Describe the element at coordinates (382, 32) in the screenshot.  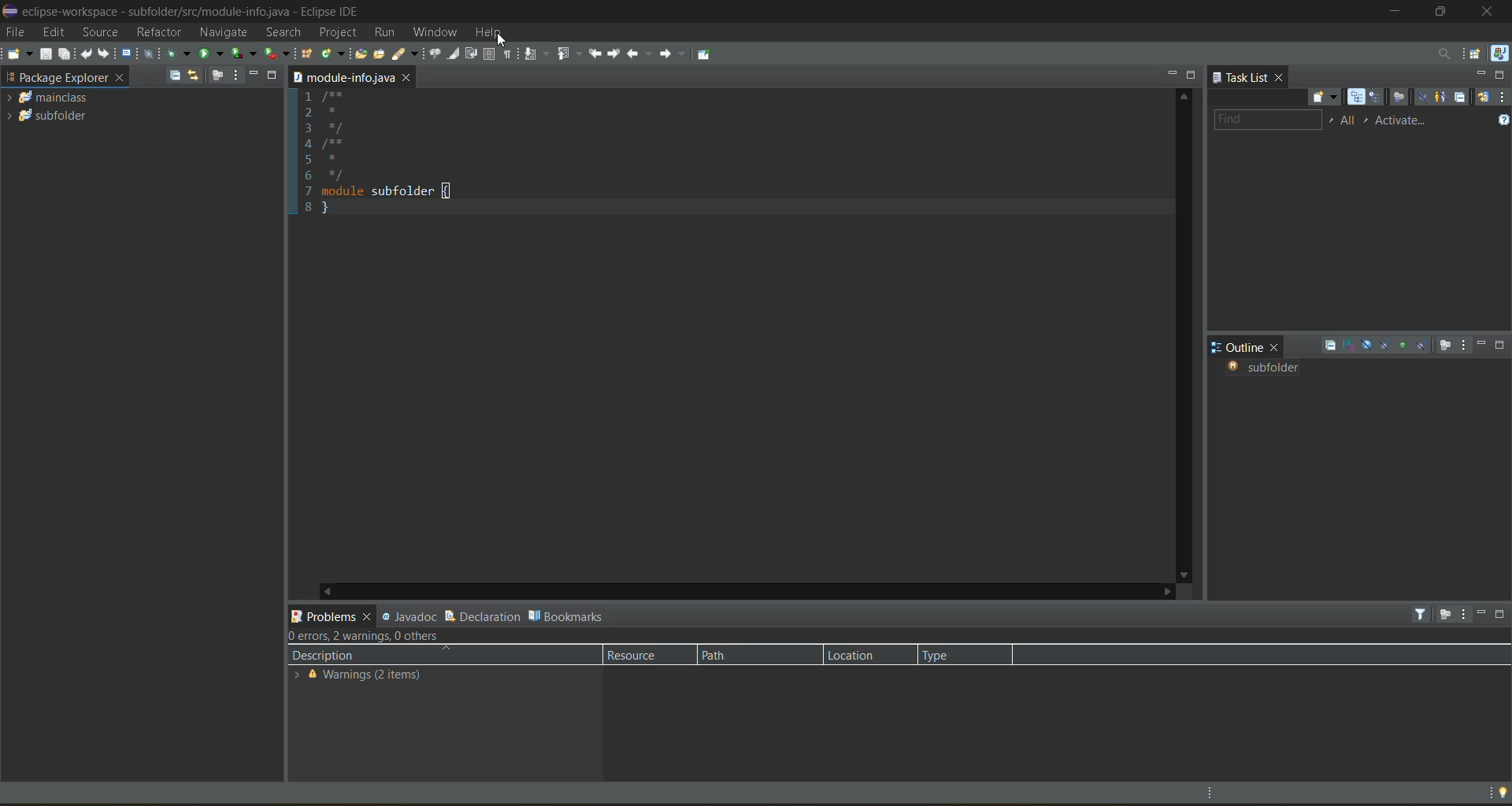
I see `run` at that location.